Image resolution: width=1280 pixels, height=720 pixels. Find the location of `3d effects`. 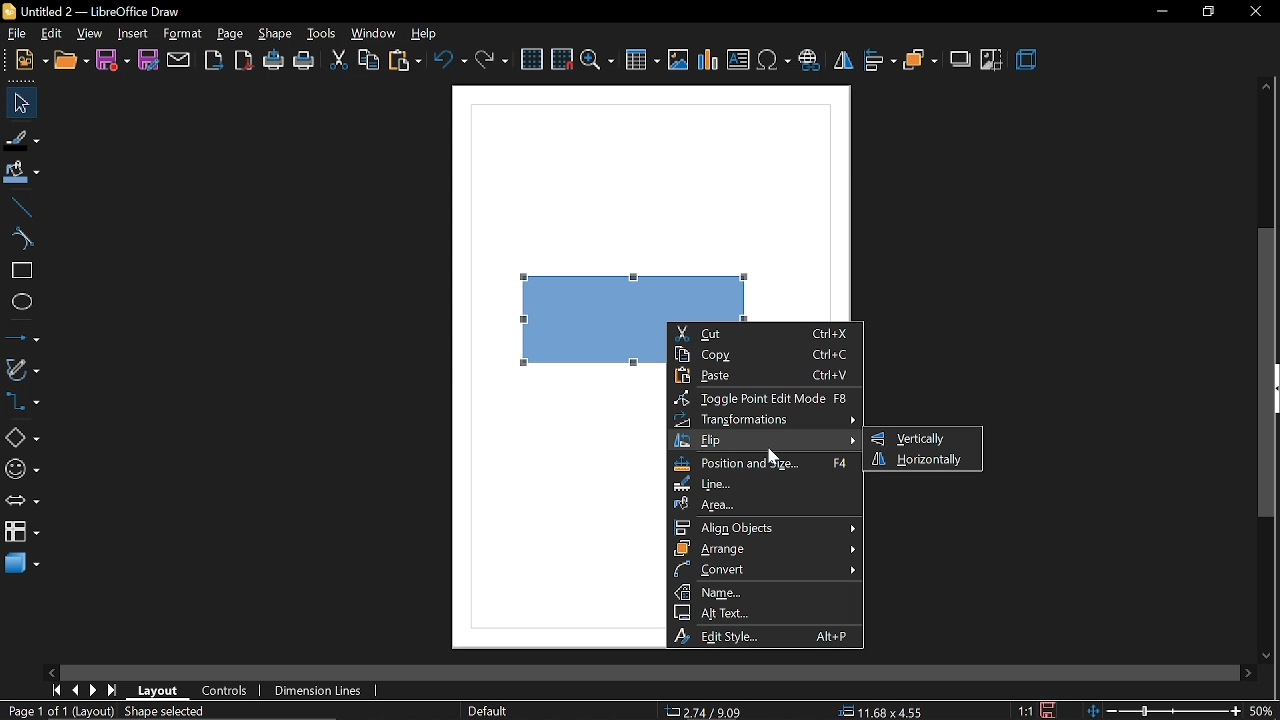

3d effects is located at coordinates (1030, 62).